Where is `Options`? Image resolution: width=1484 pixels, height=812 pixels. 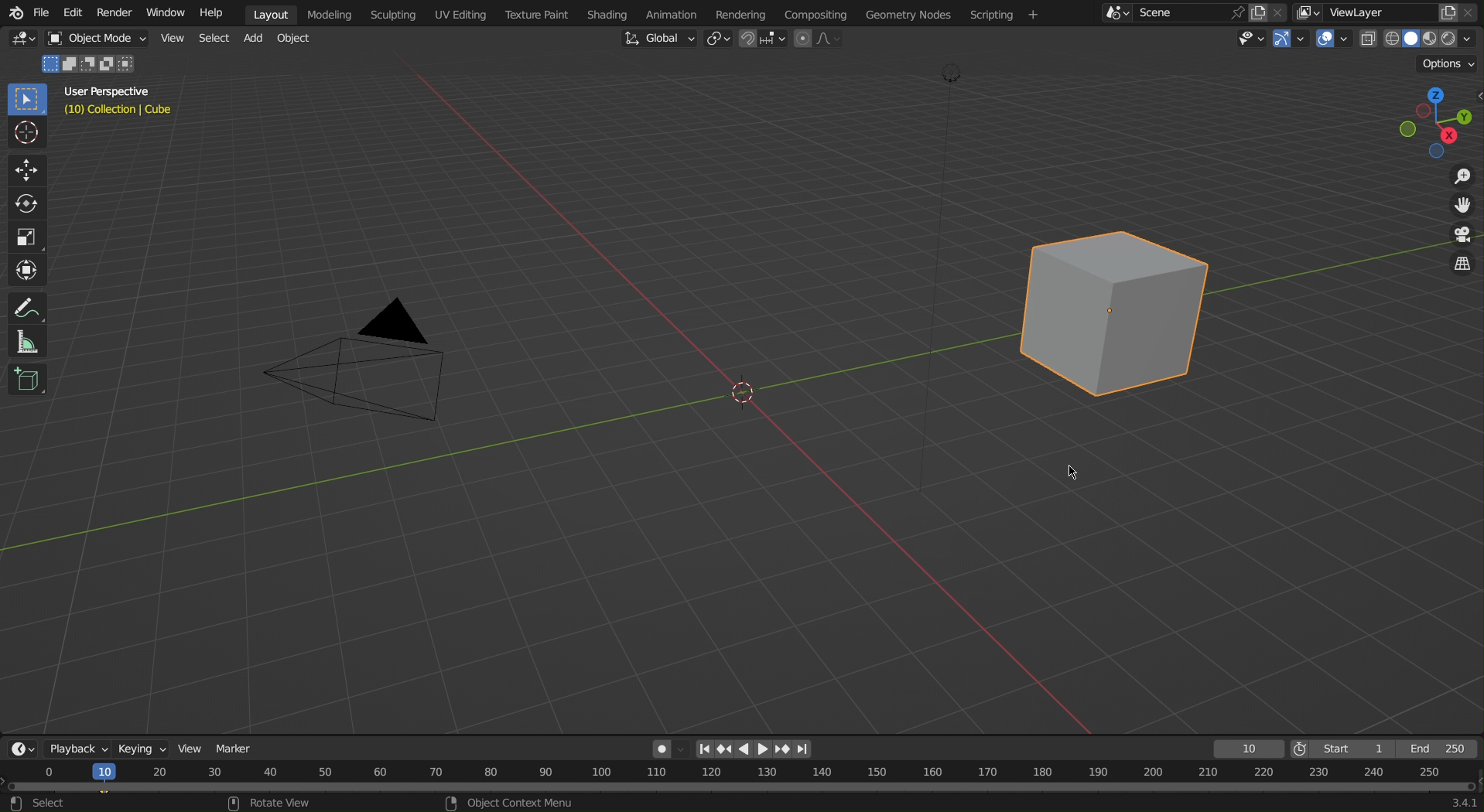
Options is located at coordinates (1450, 63).